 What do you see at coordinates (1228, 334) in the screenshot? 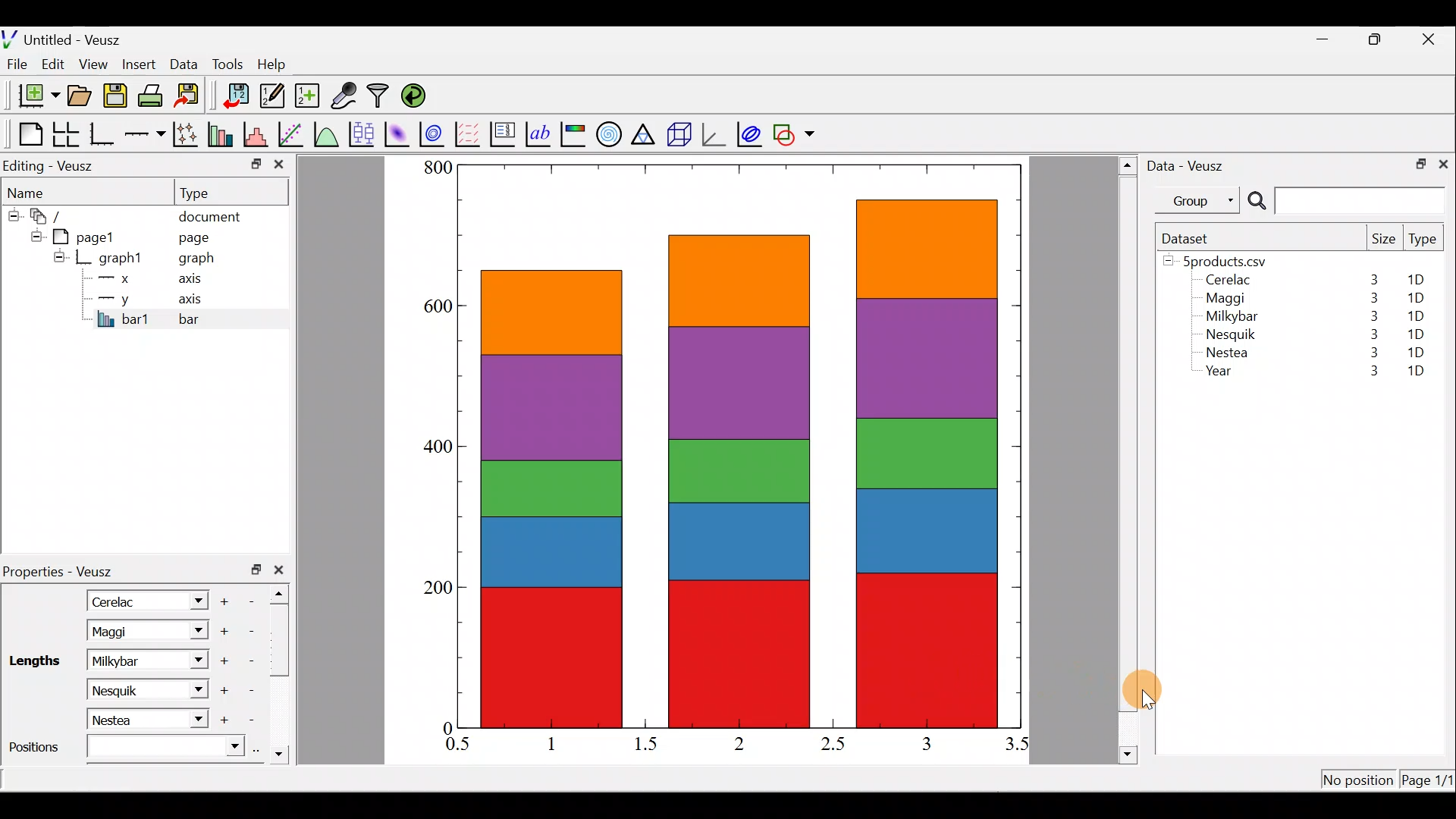
I see `Nesquik` at bounding box center [1228, 334].